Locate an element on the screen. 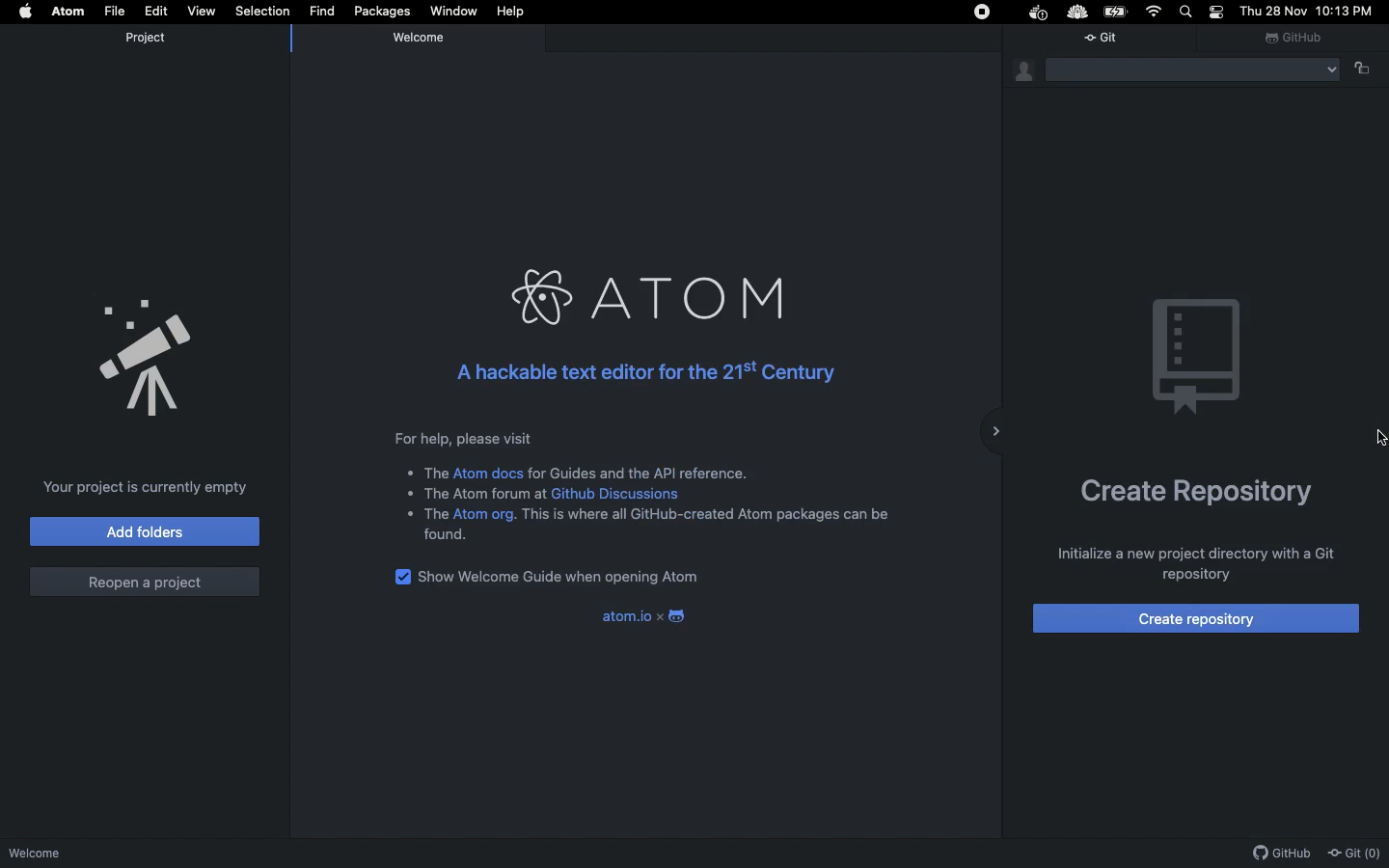 The height and width of the screenshot is (868, 1389). Create repository  is located at coordinates (1198, 489).